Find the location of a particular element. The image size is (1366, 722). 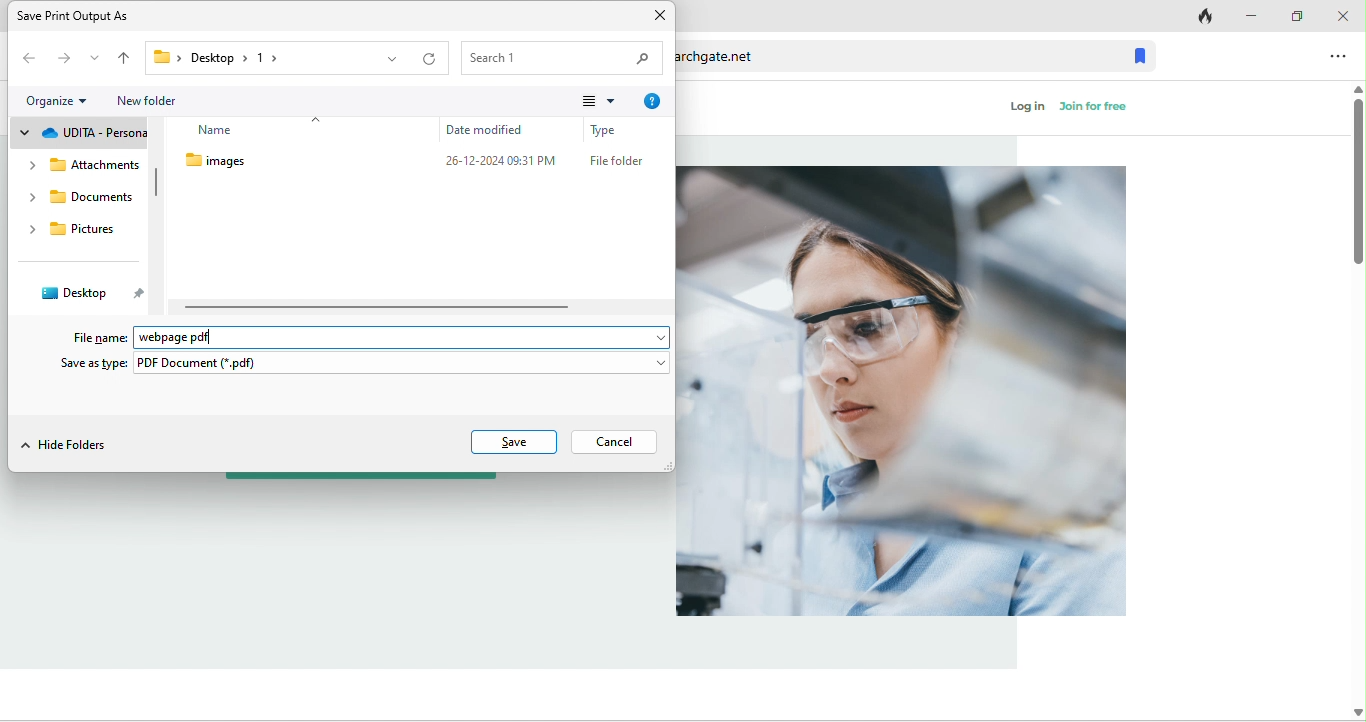

option is located at coordinates (1337, 56).